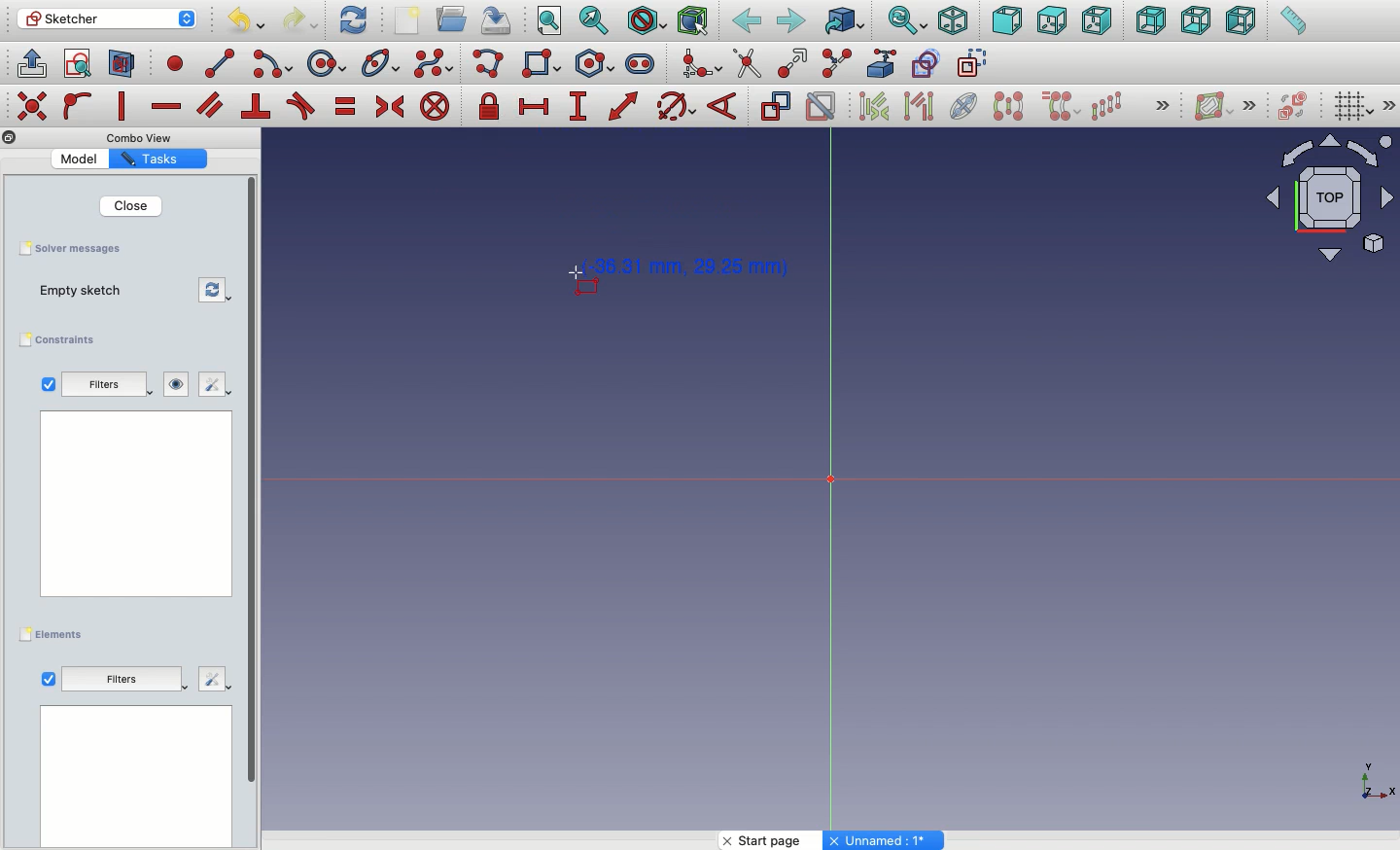 Image resolution: width=1400 pixels, height=850 pixels. Describe the element at coordinates (973, 62) in the screenshot. I see `Toggle construction geometry` at that location.